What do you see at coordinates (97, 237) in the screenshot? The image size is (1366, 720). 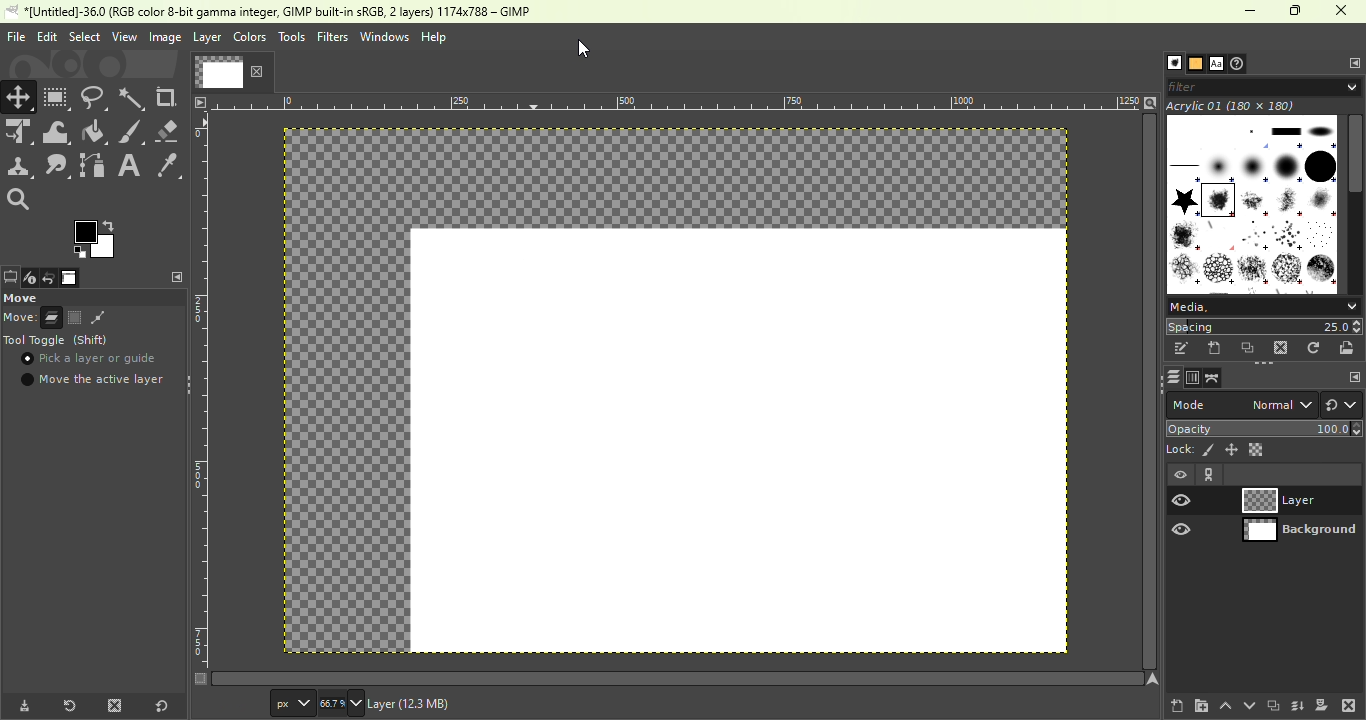 I see `The active background color` at bounding box center [97, 237].